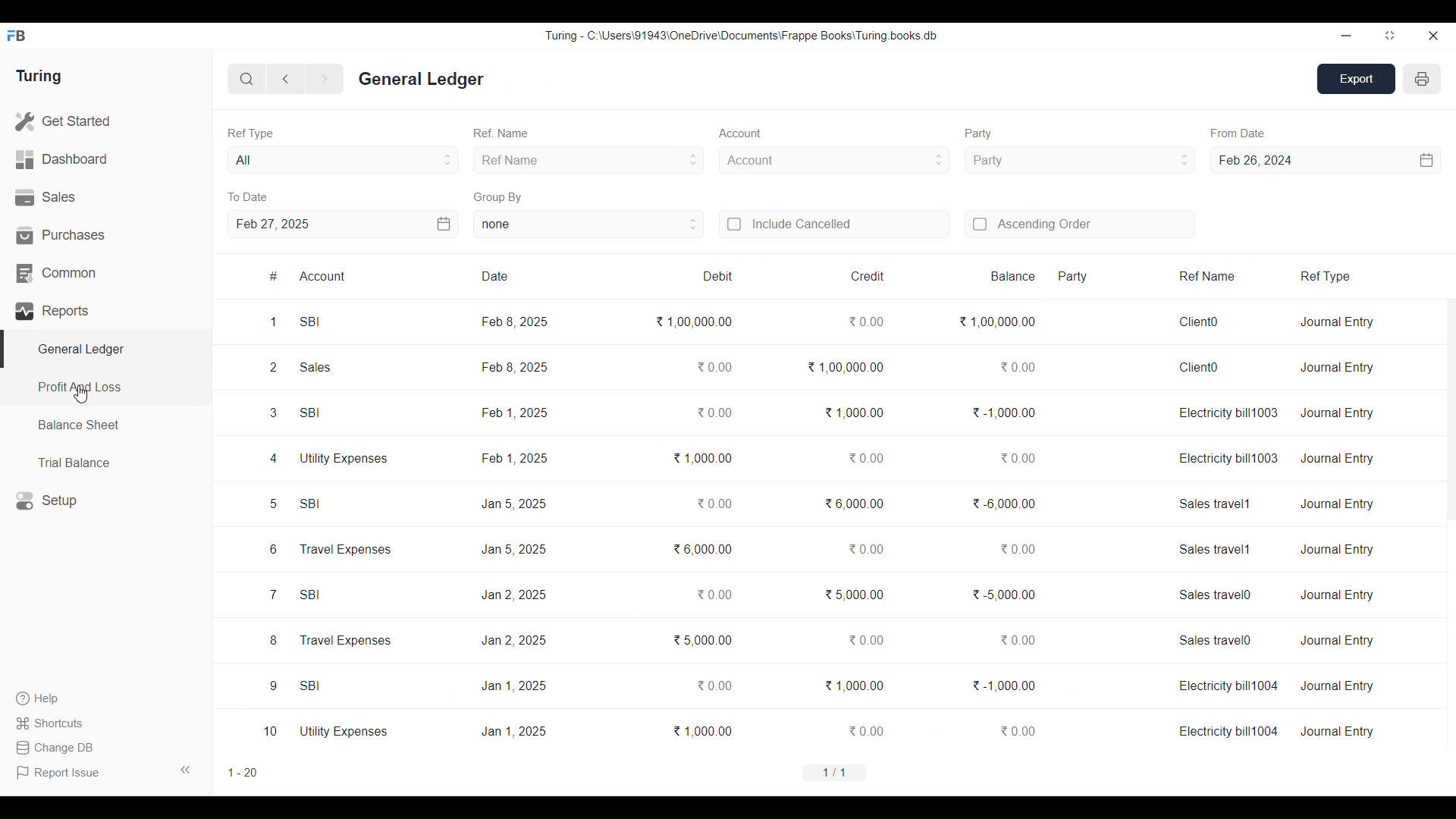 This screenshot has width=1456, height=819. Describe the element at coordinates (866, 730) in the screenshot. I see `0.00` at that location.